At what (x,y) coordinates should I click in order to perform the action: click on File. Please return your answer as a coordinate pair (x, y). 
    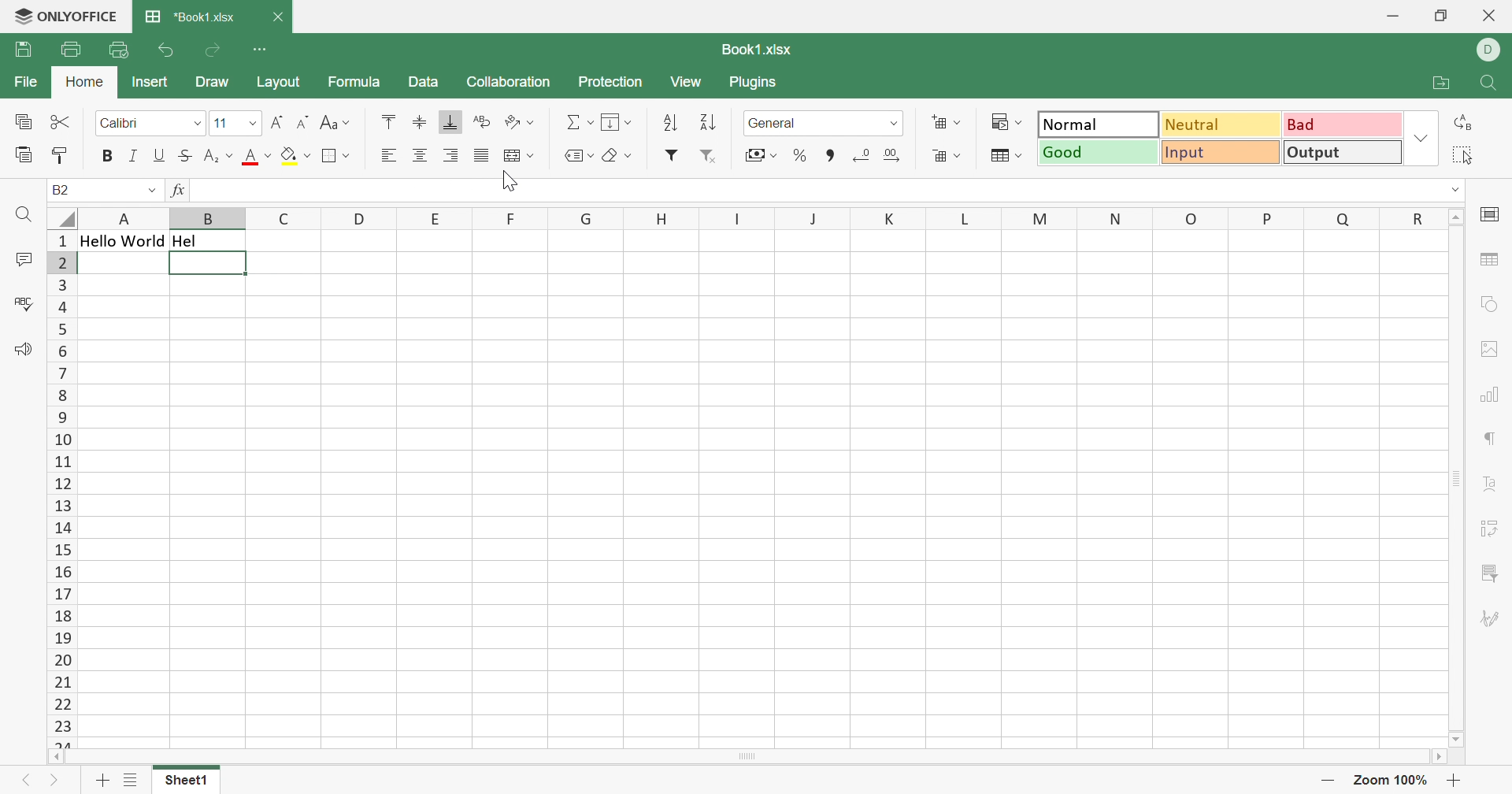
    Looking at the image, I should click on (29, 80).